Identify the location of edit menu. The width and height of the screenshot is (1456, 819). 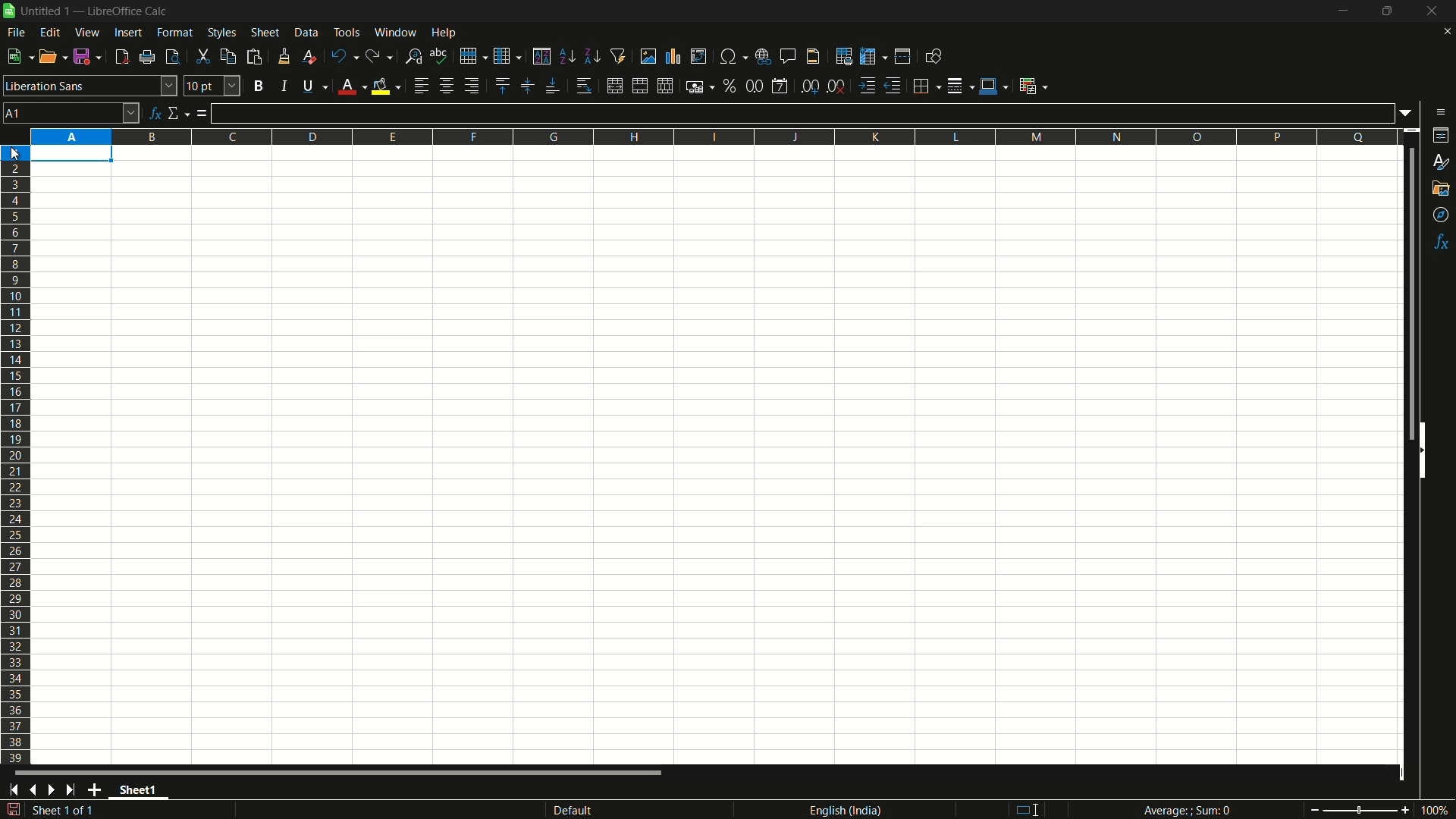
(50, 32).